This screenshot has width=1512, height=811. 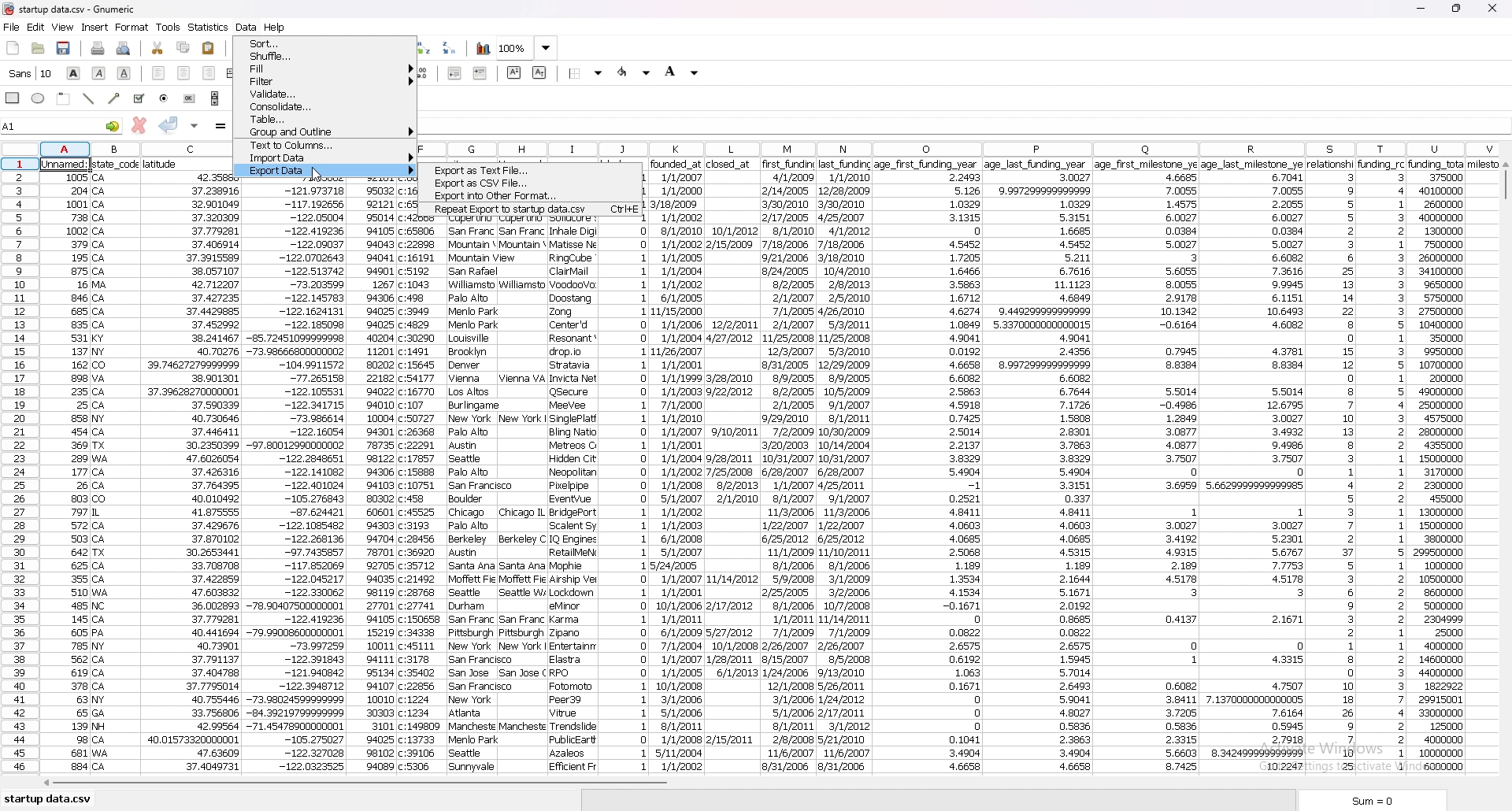 What do you see at coordinates (514, 72) in the screenshot?
I see `supercript` at bounding box center [514, 72].